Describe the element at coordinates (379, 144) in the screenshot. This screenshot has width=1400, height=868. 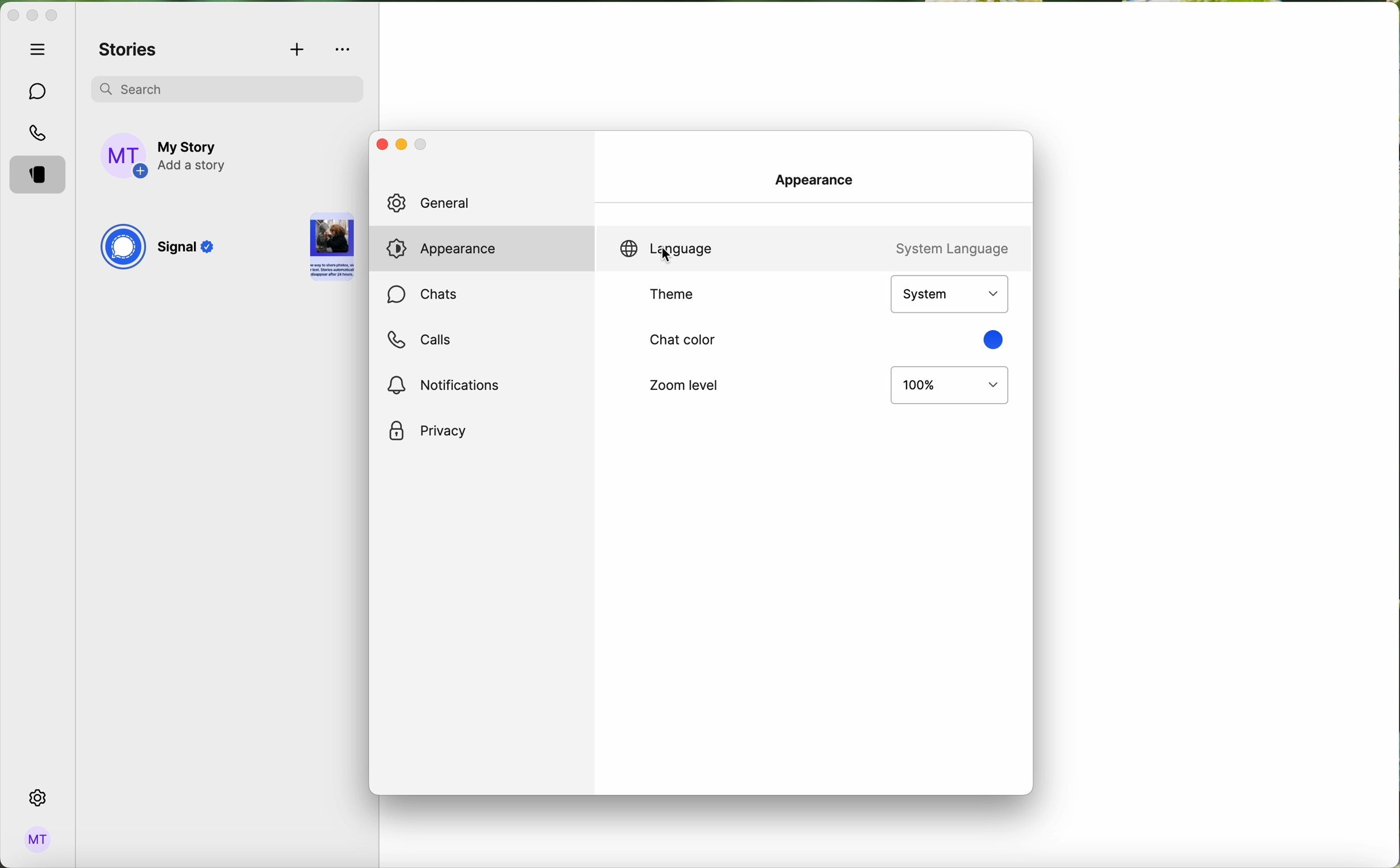
I see `close window` at that location.